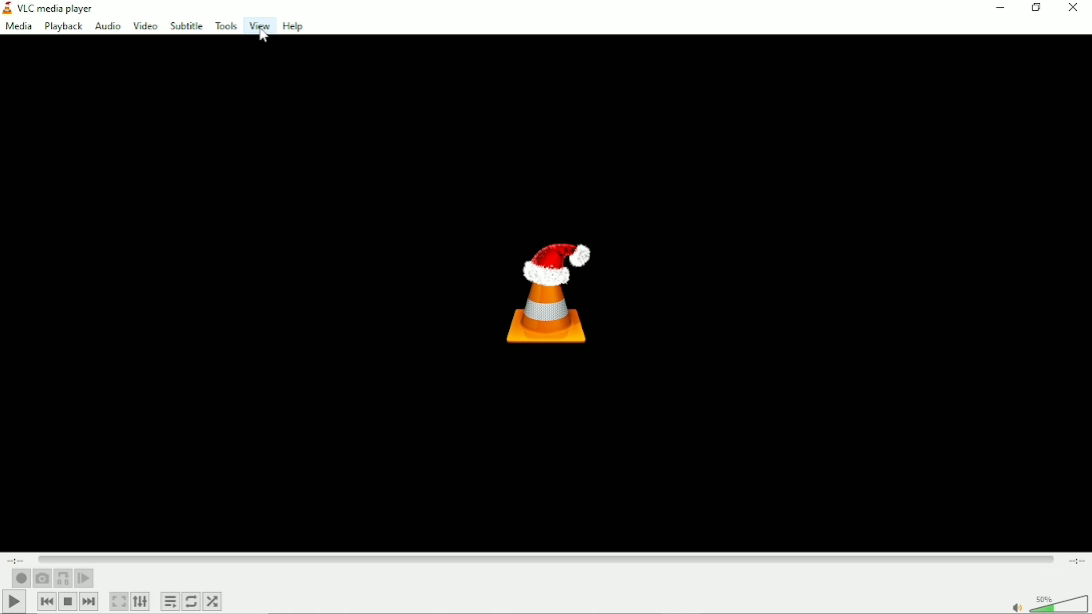  What do you see at coordinates (12, 602) in the screenshot?
I see `Play` at bounding box center [12, 602].